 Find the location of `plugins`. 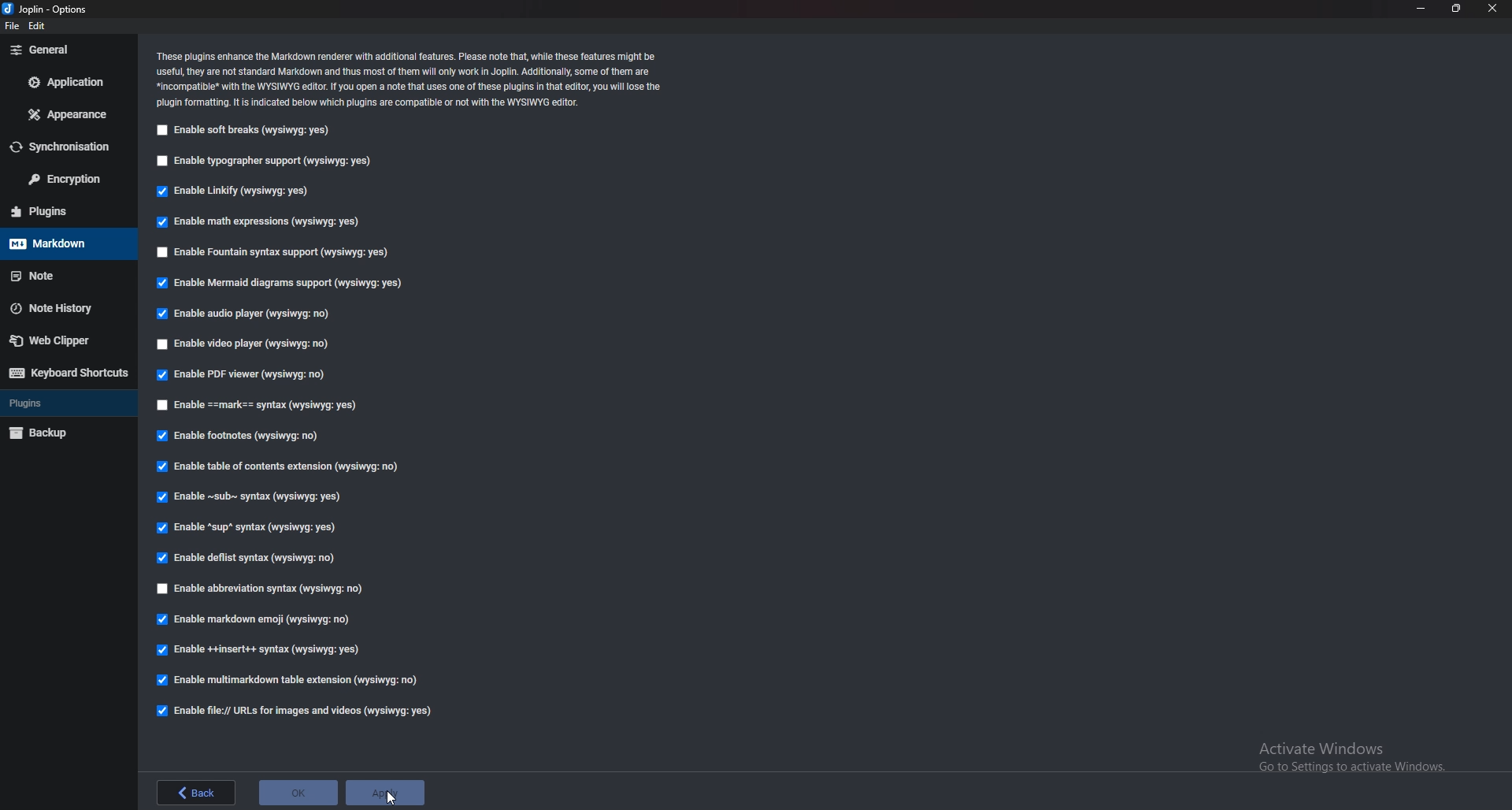

plugins is located at coordinates (57, 211).